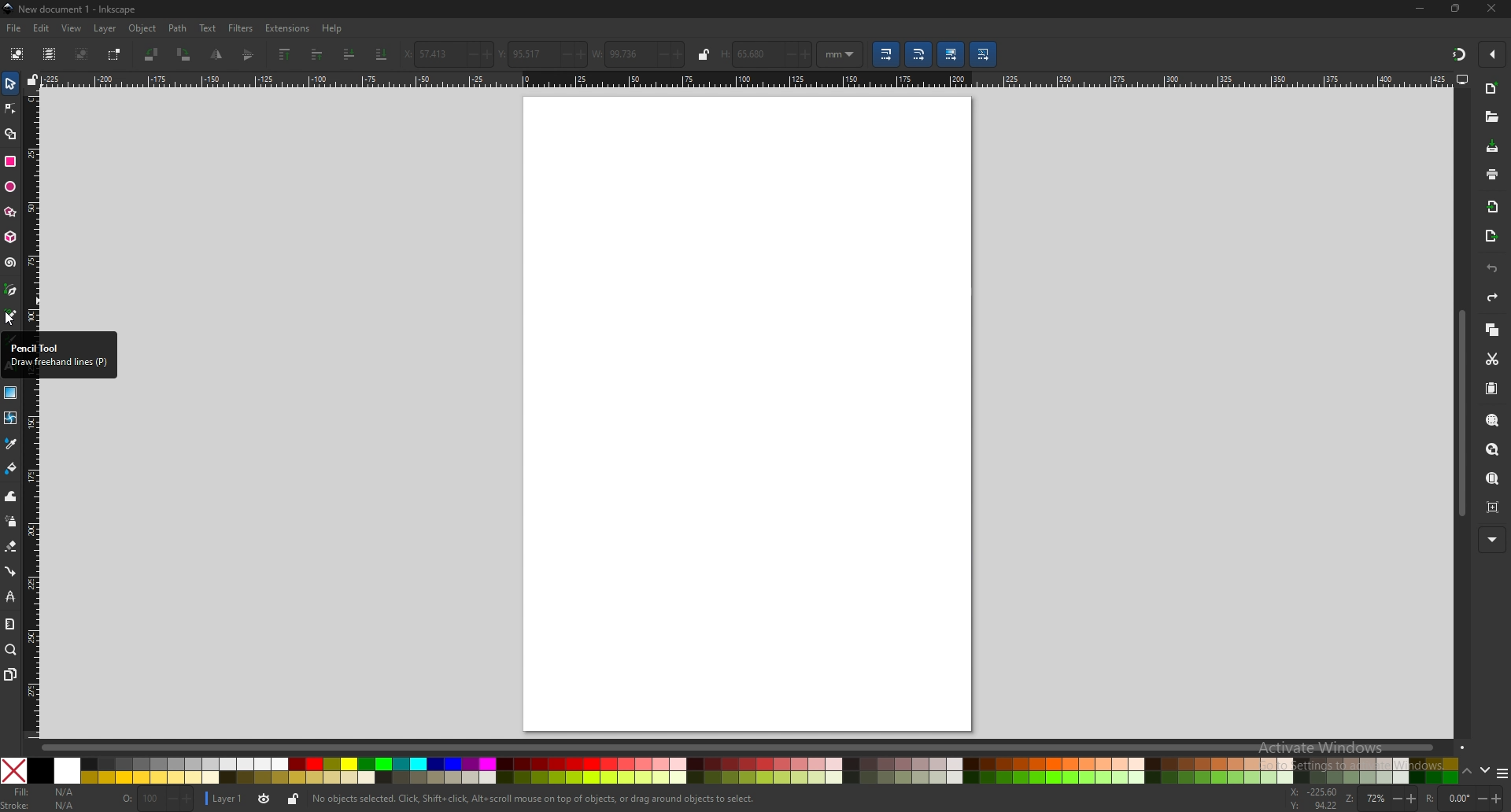 The image size is (1511, 812). I want to click on page, so click(748, 414).